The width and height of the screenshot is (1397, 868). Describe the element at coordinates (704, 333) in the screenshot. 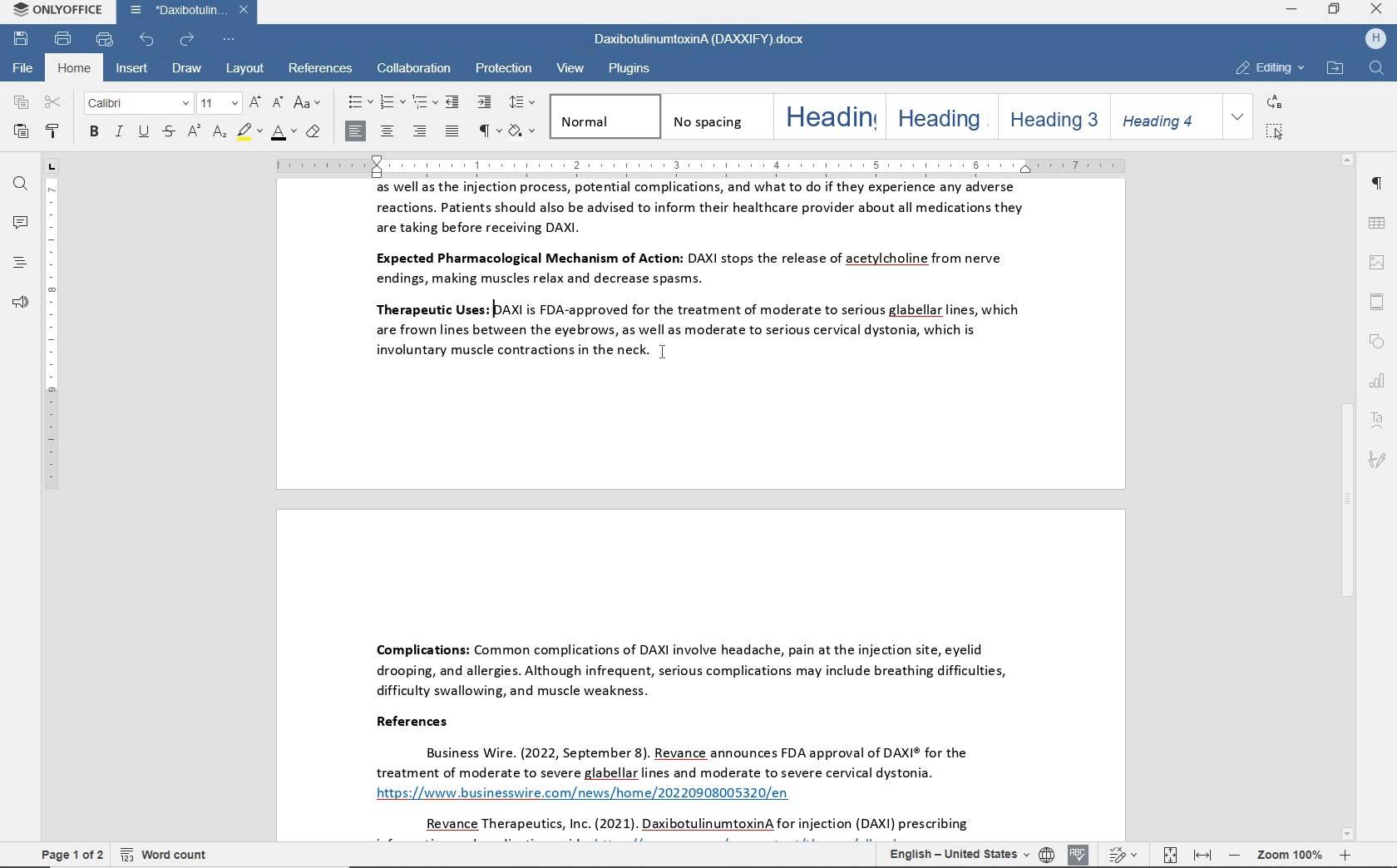

I see `as well as the injection process, potential complications, and what to do if they experience any adversereactions. Patients should also be advised to inform their healthcare provider about all medications theyare taking before receiving DAXI.Expected Pharmacological Mechanism of Action: DAXI stops the release of acetylcholine from nerveendings, making muscles relax and decrease spasms.Therapeutic Uses: PAX is FDA-approved for the treatment of moderate to serious glabellar lines, whichare frown lines between the eyebrows, as well as moderate to serious cervical dystonia, which isinvoluntary muscle contractions in the neck. ` at that location.